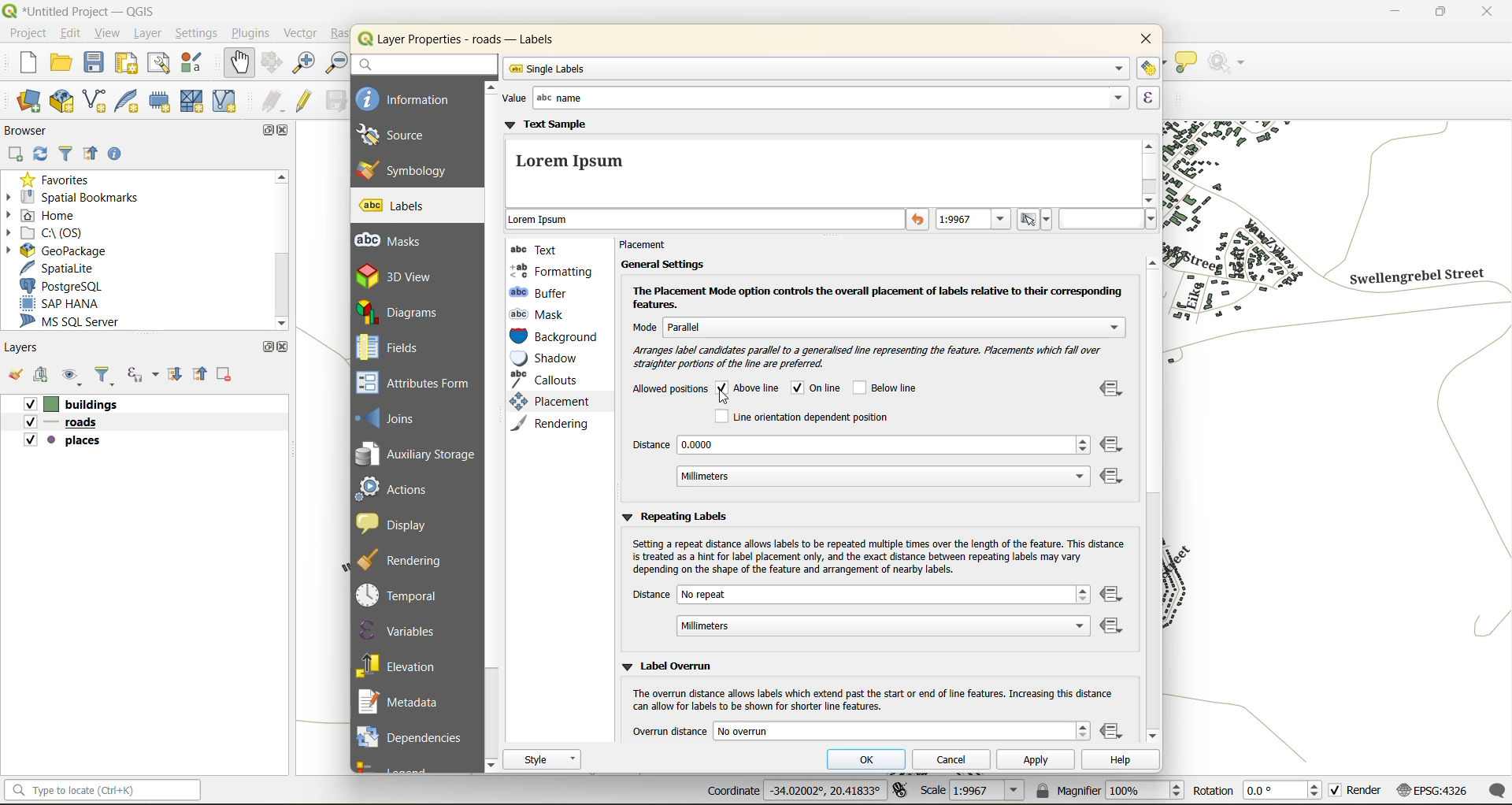 This screenshot has height=805, width=1512. What do you see at coordinates (409, 560) in the screenshot?
I see `rendering` at bounding box center [409, 560].